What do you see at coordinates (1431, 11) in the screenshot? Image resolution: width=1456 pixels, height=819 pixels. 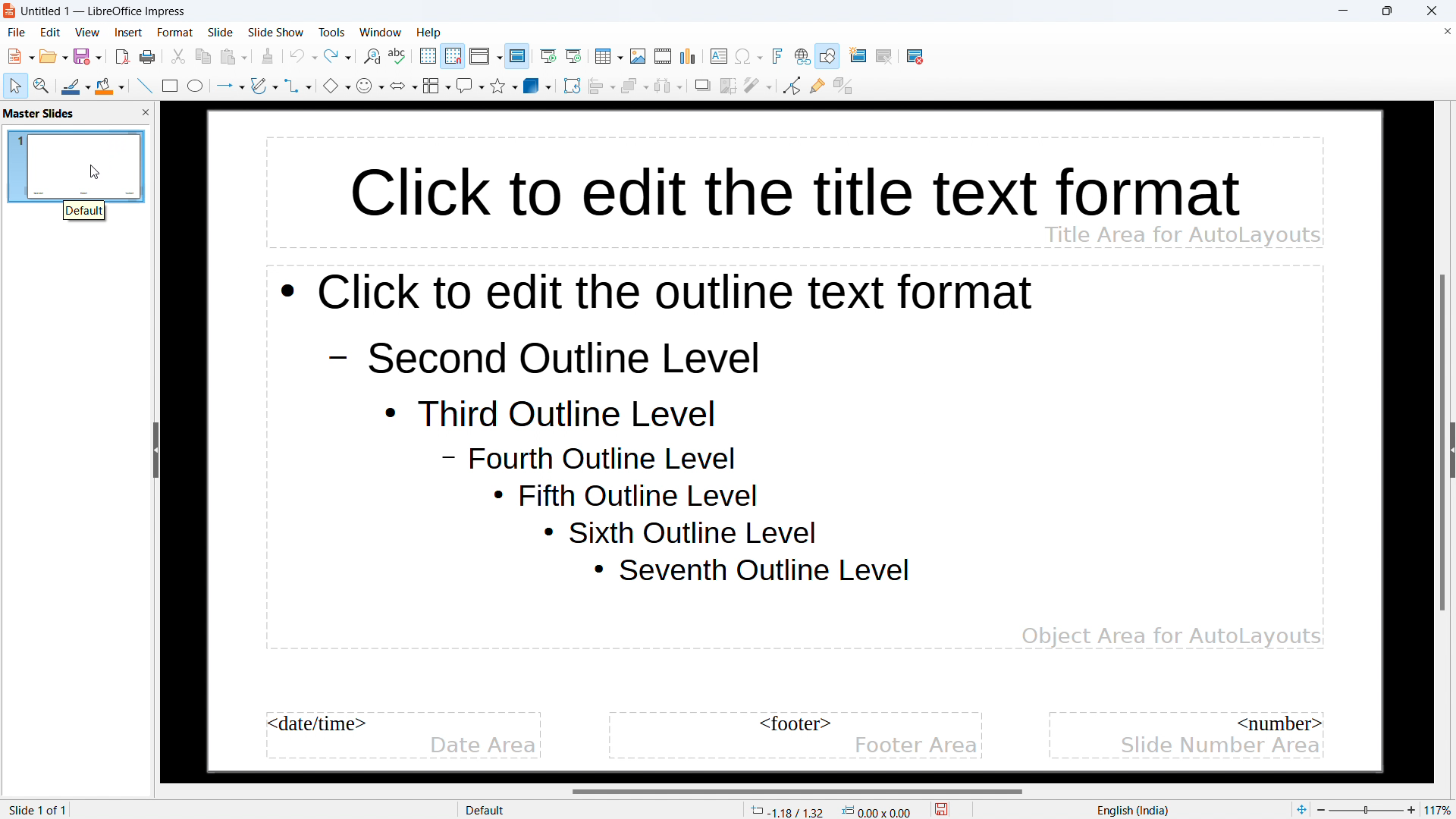 I see `close` at bounding box center [1431, 11].